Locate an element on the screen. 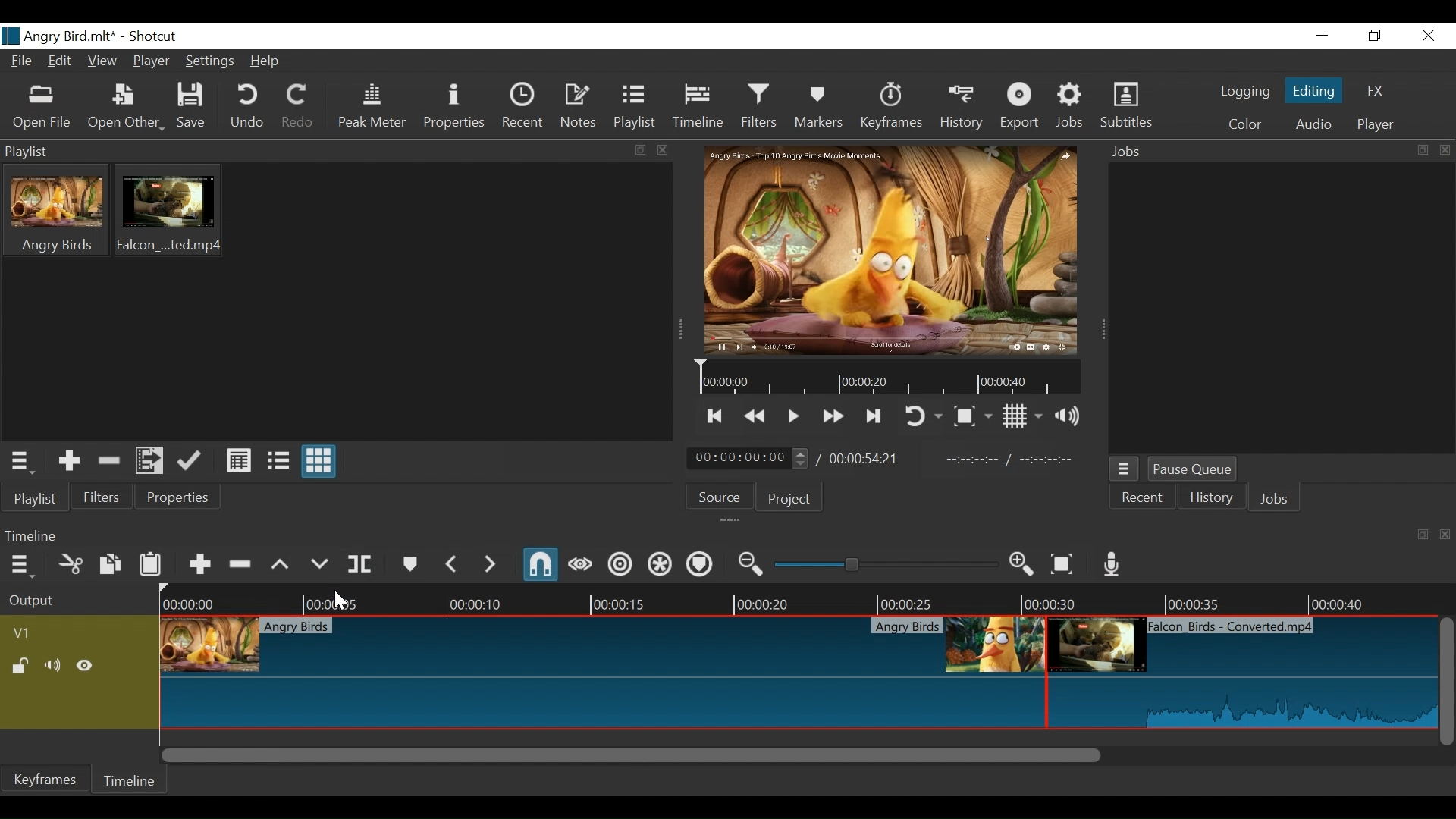 This screenshot has height=819, width=1456. Show volume control is located at coordinates (1068, 418).